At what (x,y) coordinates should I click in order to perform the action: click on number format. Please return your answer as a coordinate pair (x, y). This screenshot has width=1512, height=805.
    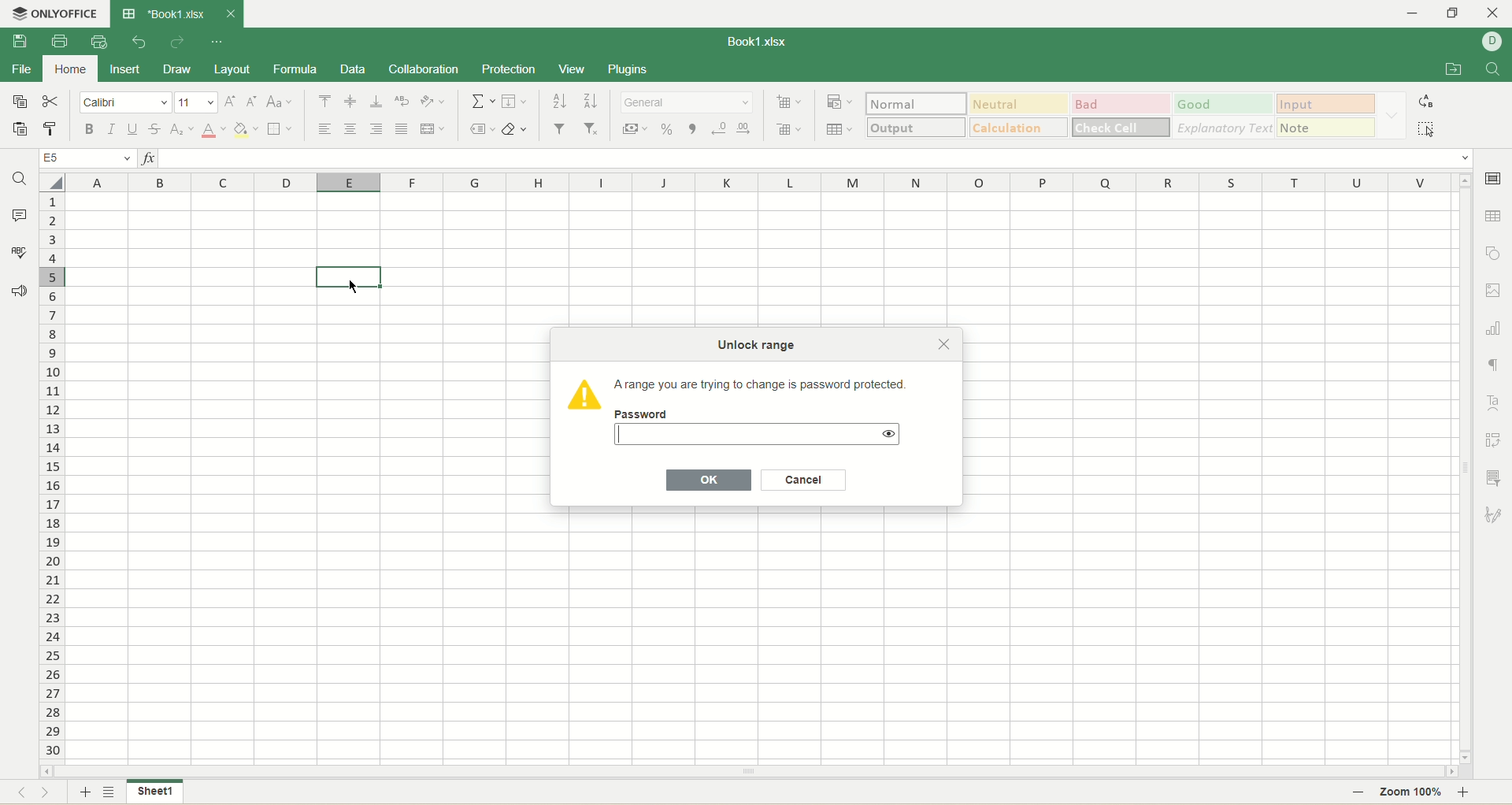
    Looking at the image, I should click on (686, 103).